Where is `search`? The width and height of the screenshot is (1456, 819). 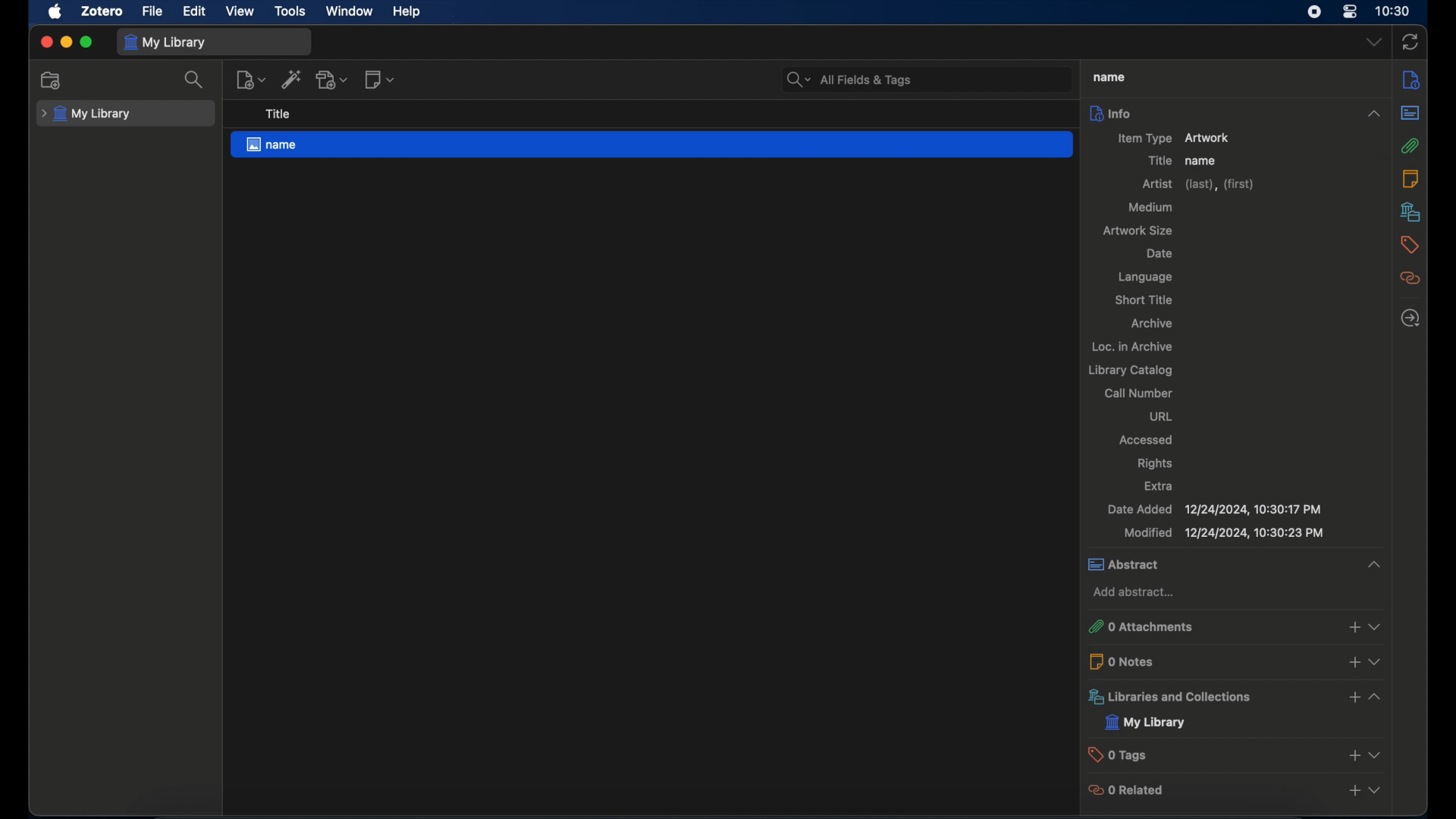 search is located at coordinates (194, 80).